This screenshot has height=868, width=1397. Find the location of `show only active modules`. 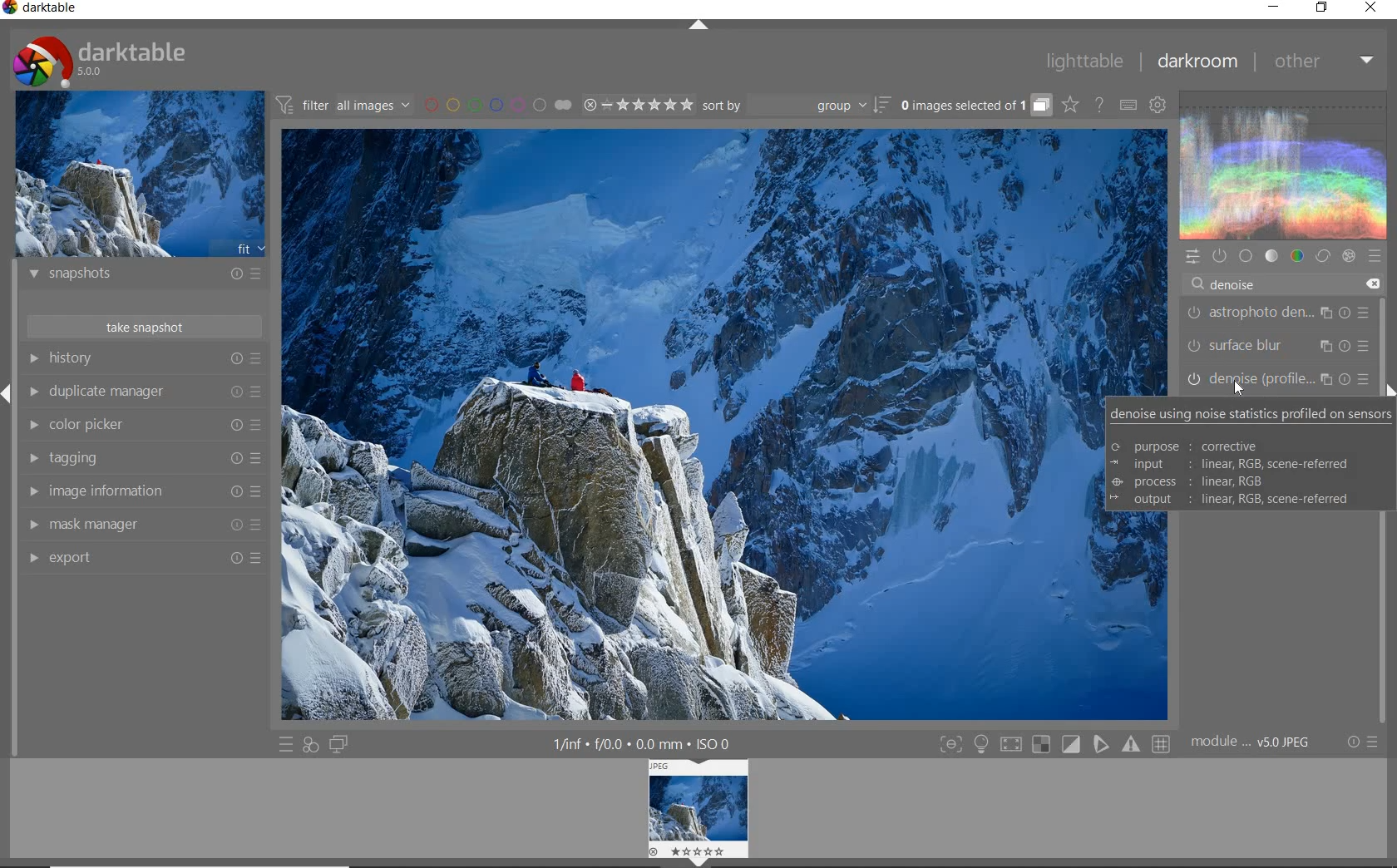

show only active modules is located at coordinates (1218, 256).